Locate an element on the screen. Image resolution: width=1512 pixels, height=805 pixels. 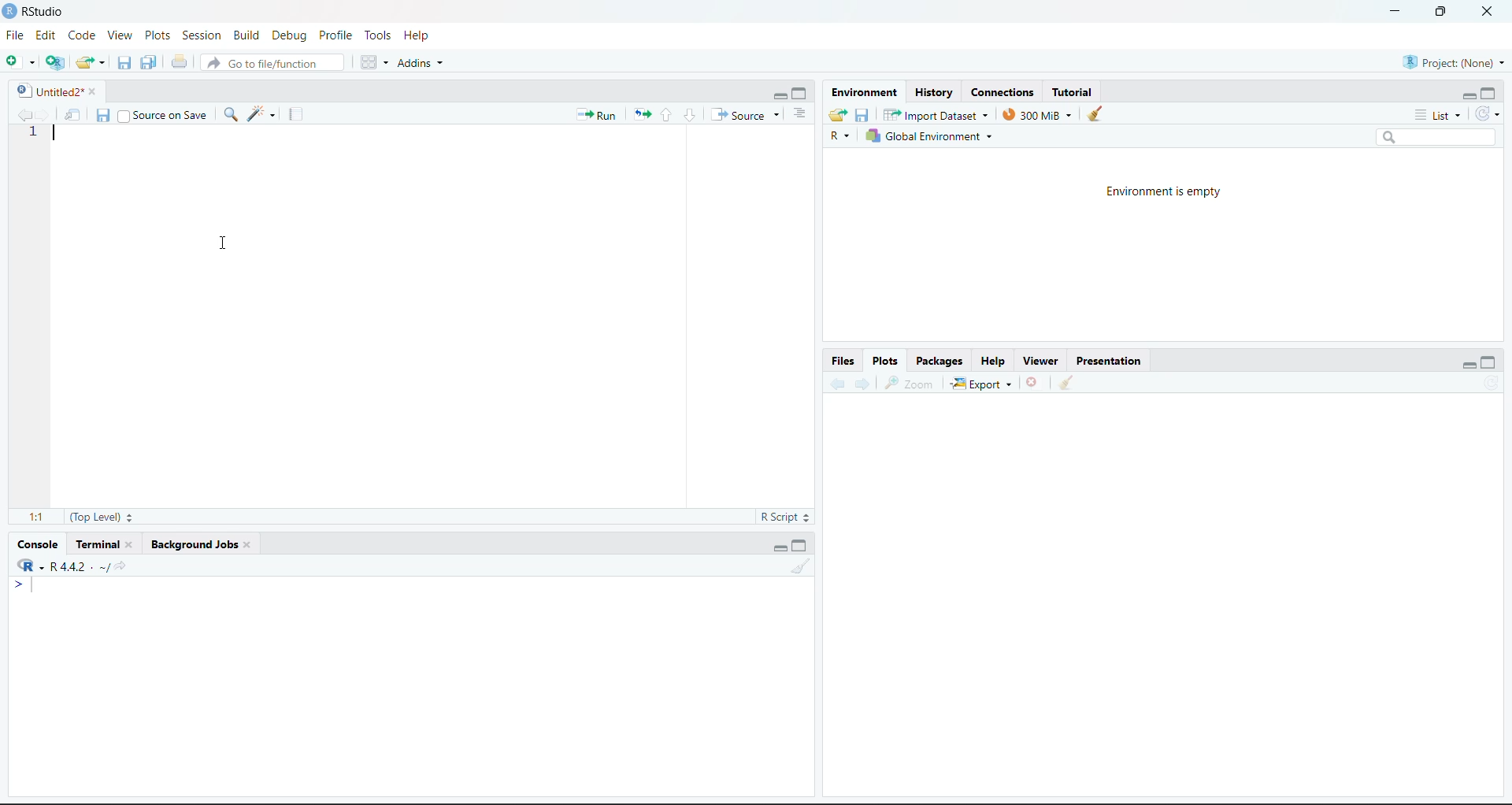
Files is located at coordinates (844, 362).